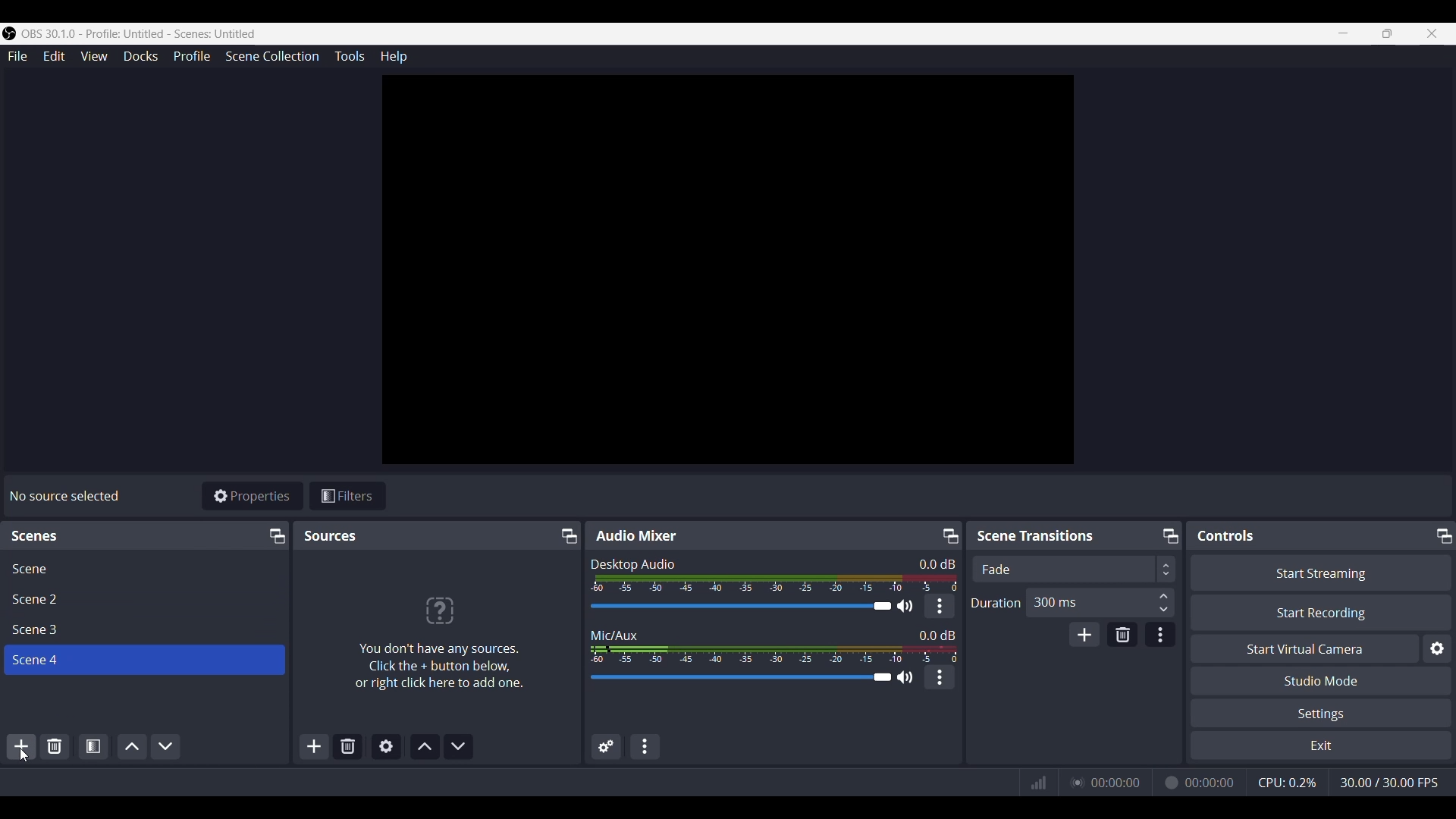 The image size is (1456, 819). Describe the element at coordinates (937, 563) in the screenshot. I see `Text` at that location.